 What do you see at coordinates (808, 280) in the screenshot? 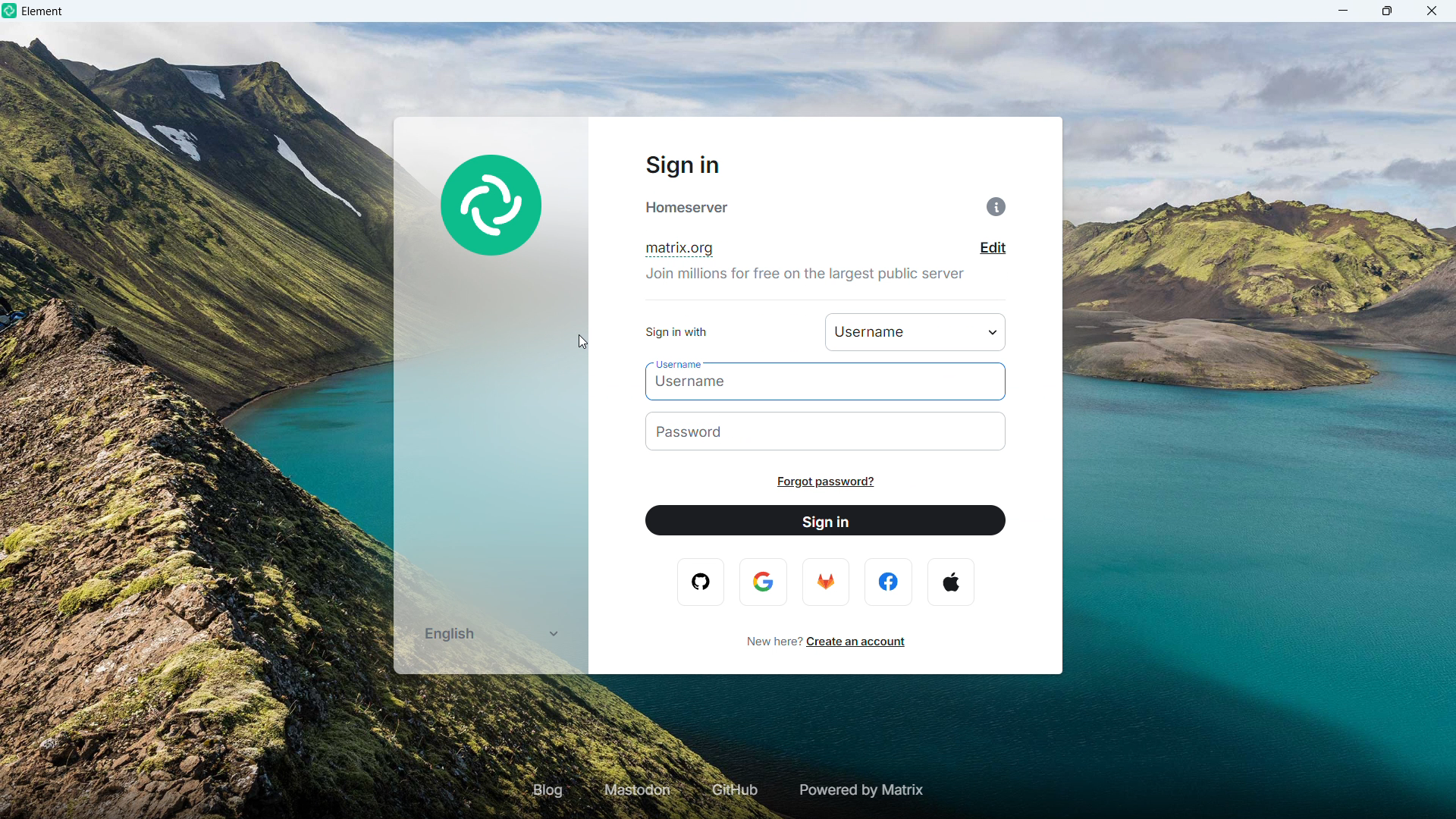
I see `join millions for free on the largest public server` at bounding box center [808, 280].